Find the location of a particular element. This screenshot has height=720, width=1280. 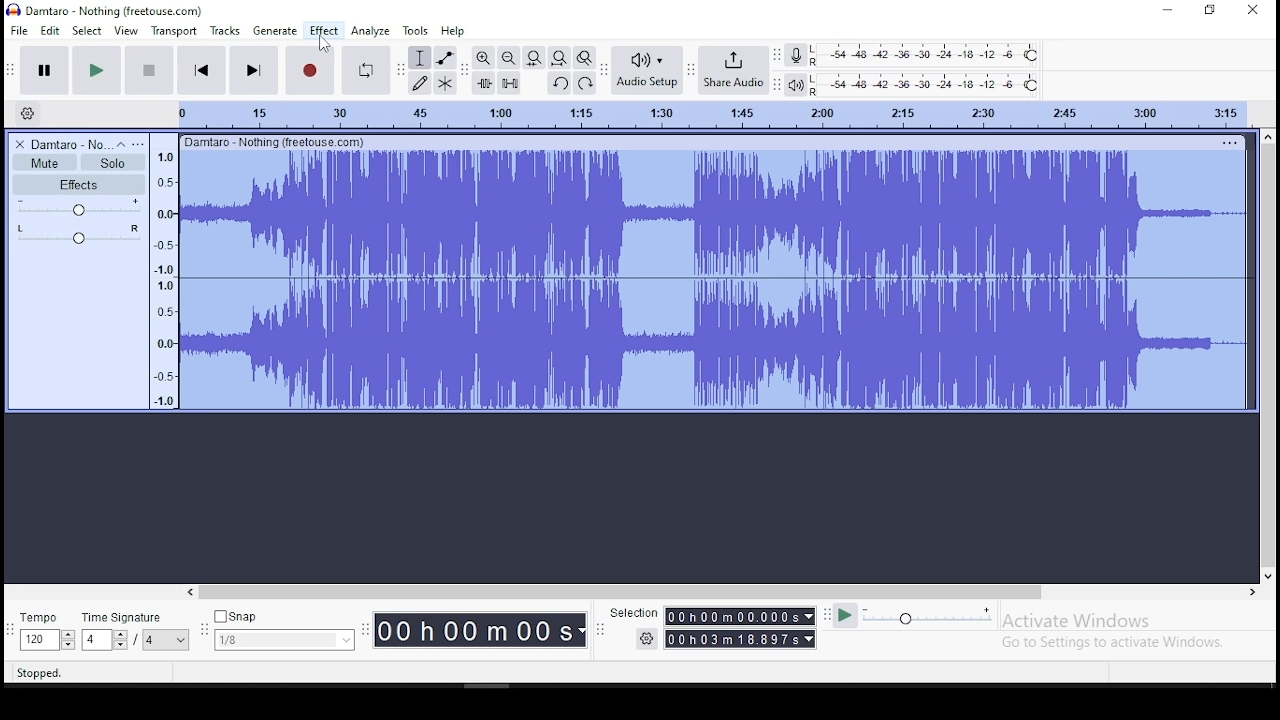

transport is located at coordinates (173, 30).